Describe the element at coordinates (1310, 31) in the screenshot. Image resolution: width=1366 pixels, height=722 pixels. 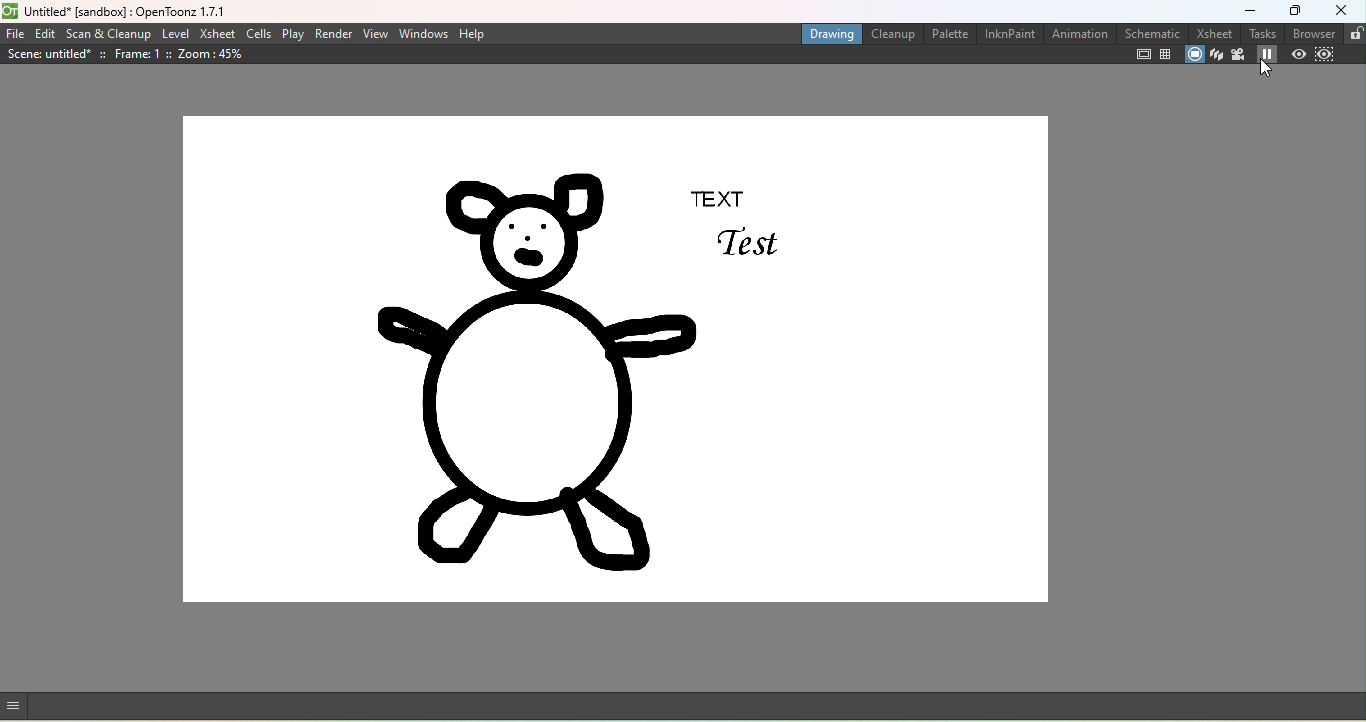
I see `Browser` at that location.